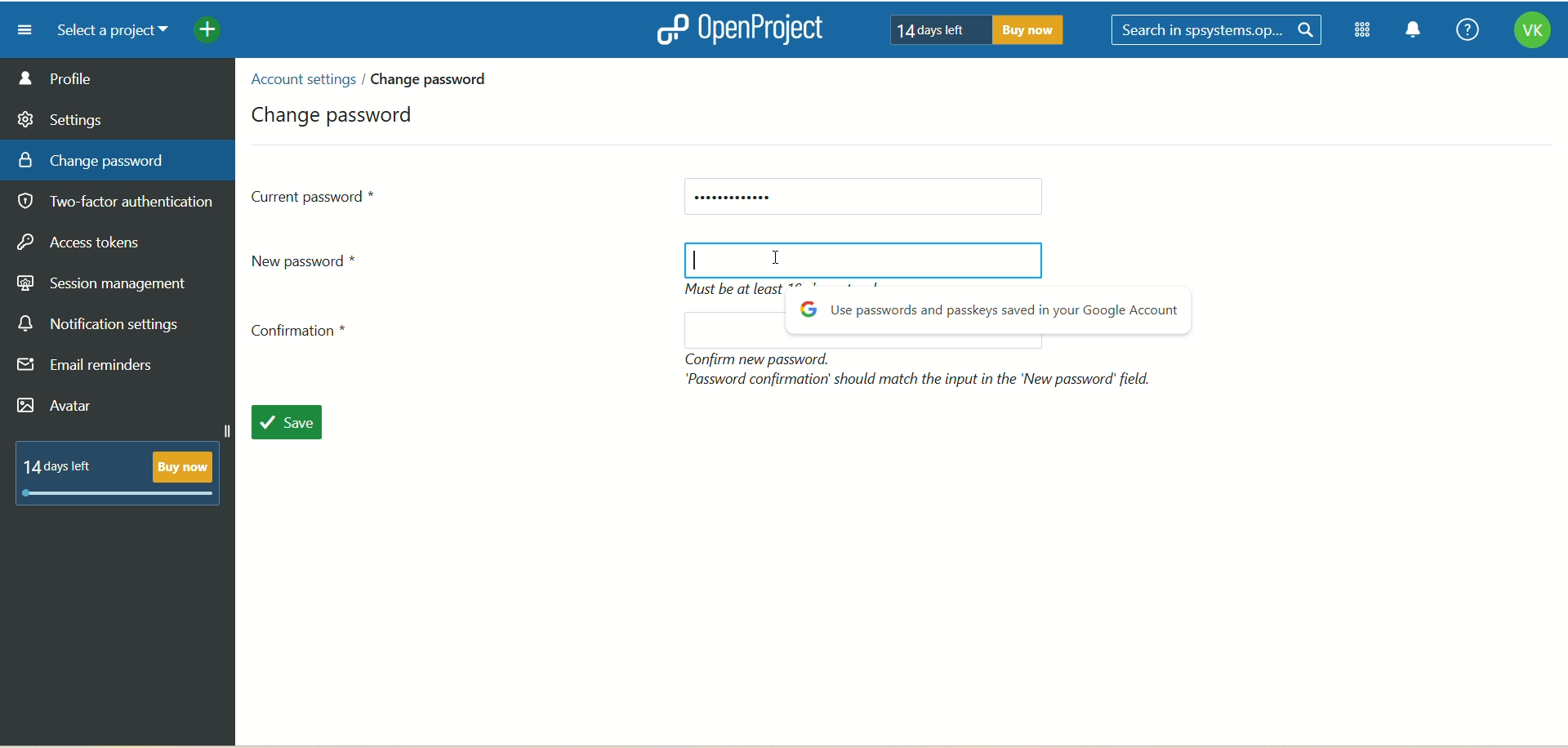 Image resolution: width=1568 pixels, height=748 pixels. Describe the element at coordinates (301, 79) in the screenshot. I see `account settings` at that location.